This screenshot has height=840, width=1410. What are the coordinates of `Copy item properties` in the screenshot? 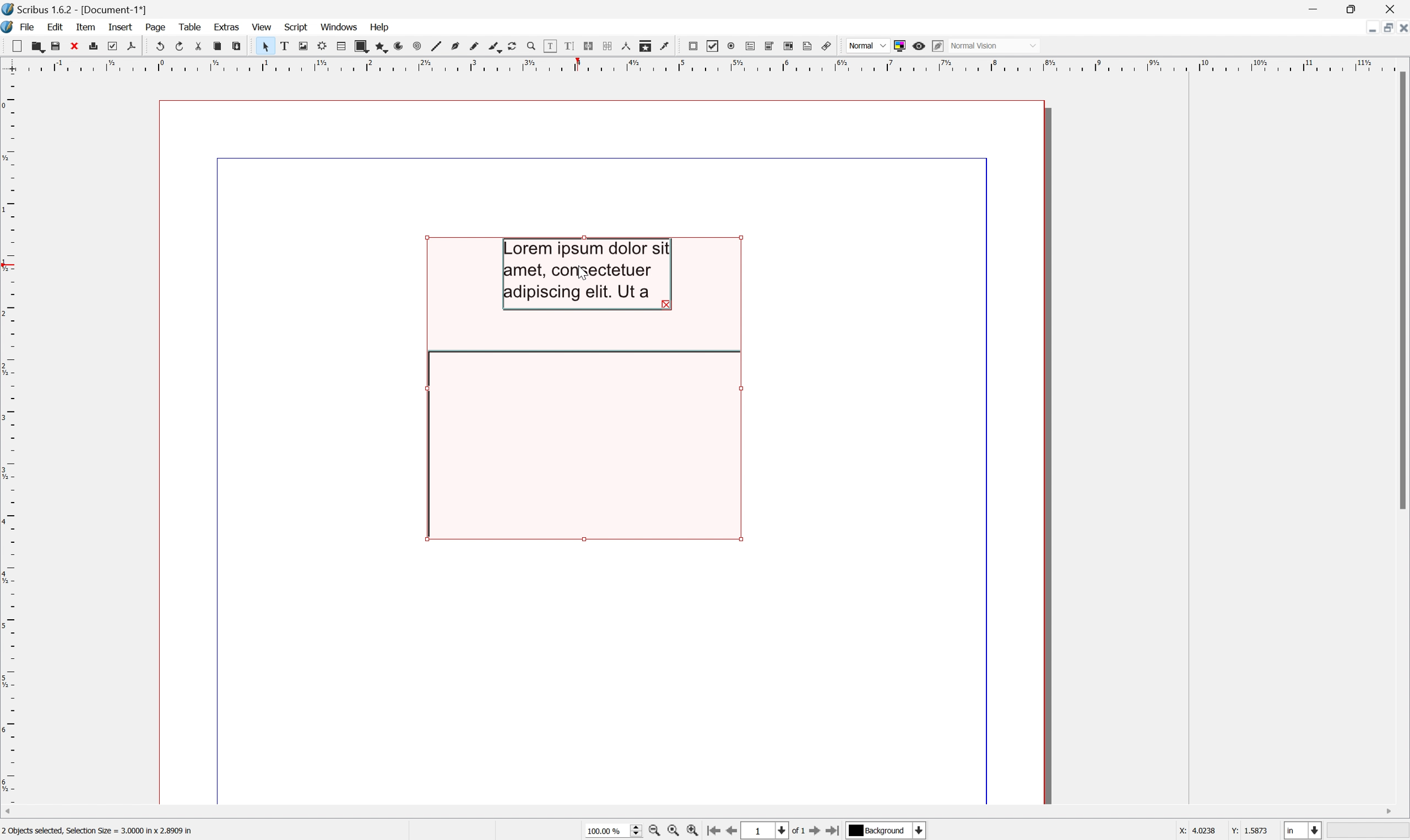 It's located at (646, 46).